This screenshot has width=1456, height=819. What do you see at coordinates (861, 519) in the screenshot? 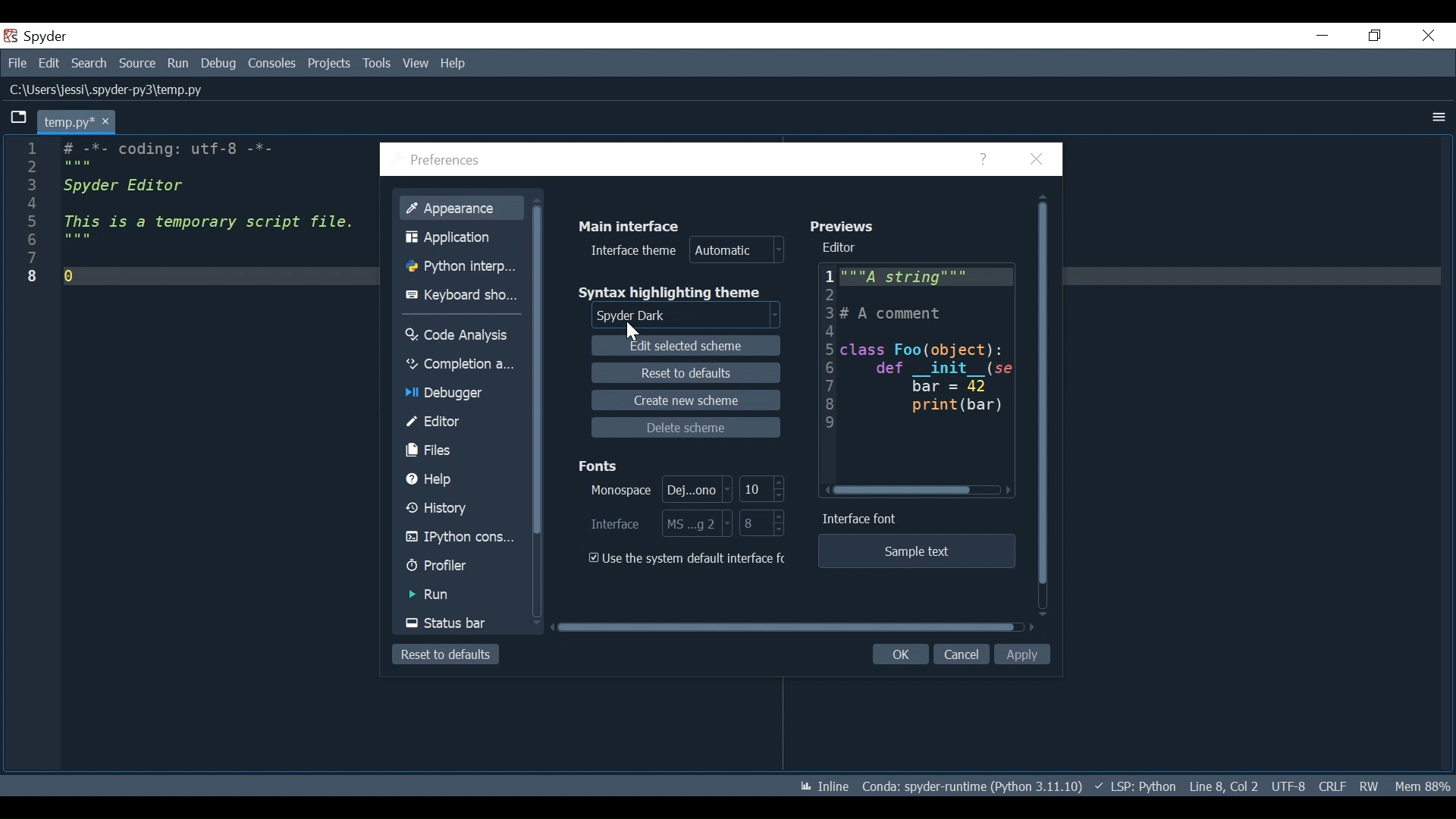
I see `Interface Font` at bounding box center [861, 519].